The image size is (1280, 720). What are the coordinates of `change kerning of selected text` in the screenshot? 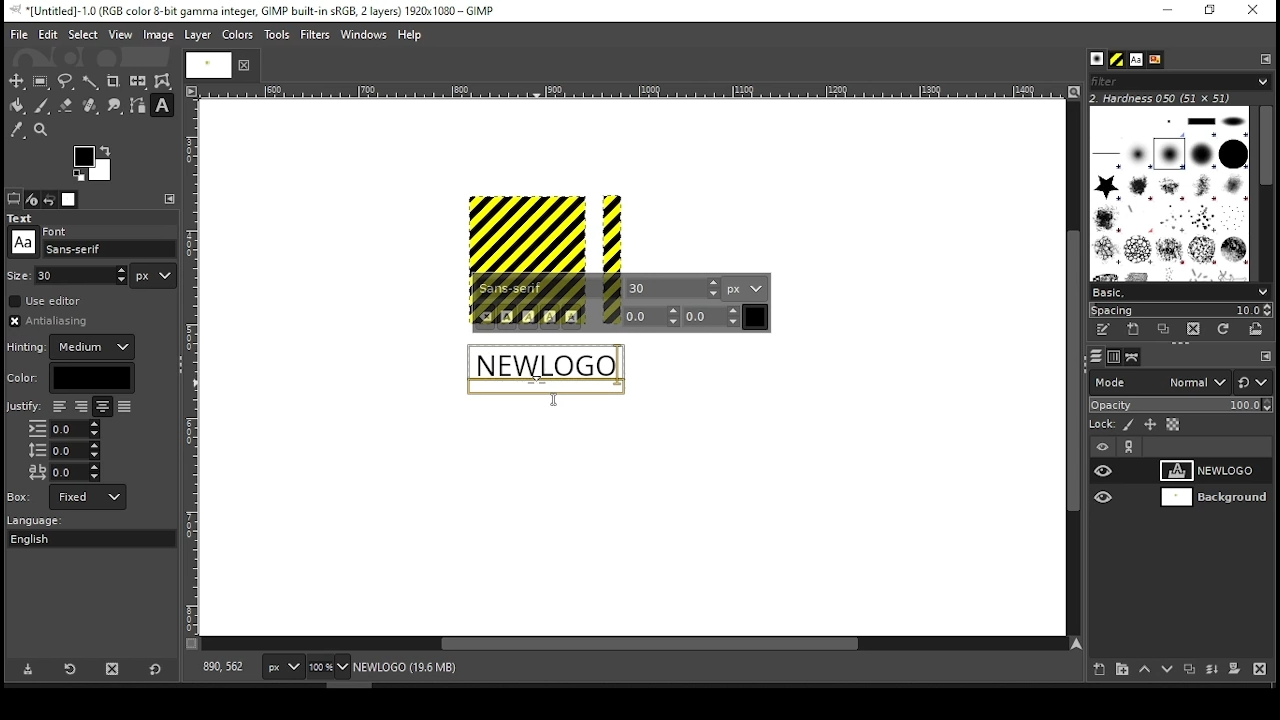 It's located at (712, 316).